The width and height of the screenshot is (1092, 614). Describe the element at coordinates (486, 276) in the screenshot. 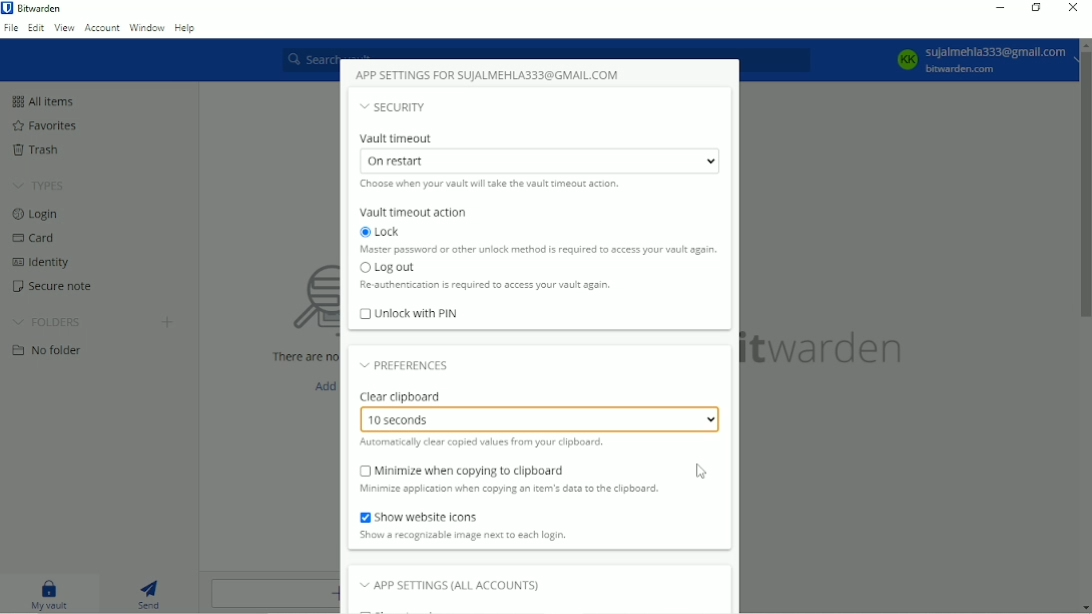

I see `Log out` at that location.